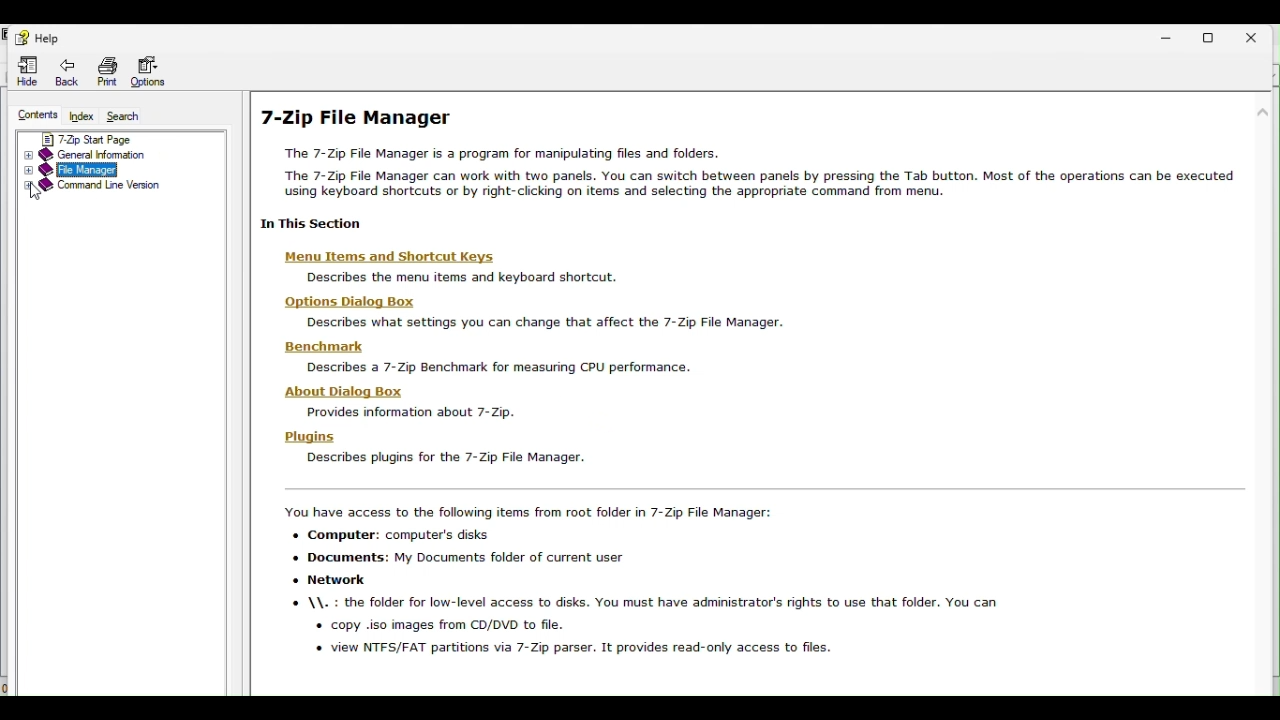 The height and width of the screenshot is (720, 1280). Describe the element at coordinates (133, 170) in the screenshot. I see `File manager` at that location.